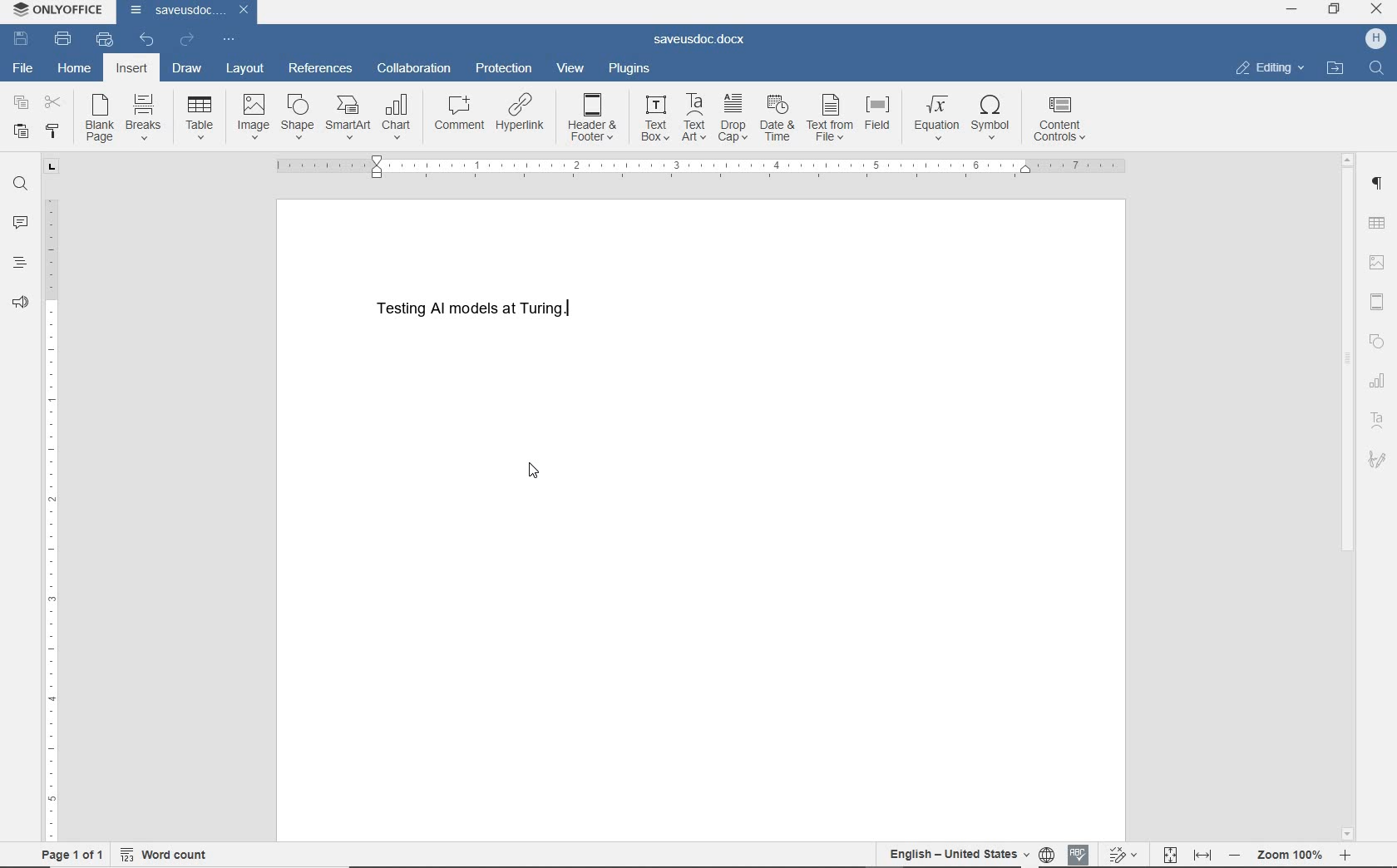 This screenshot has width=1397, height=868. What do you see at coordinates (22, 223) in the screenshot?
I see `comments` at bounding box center [22, 223].